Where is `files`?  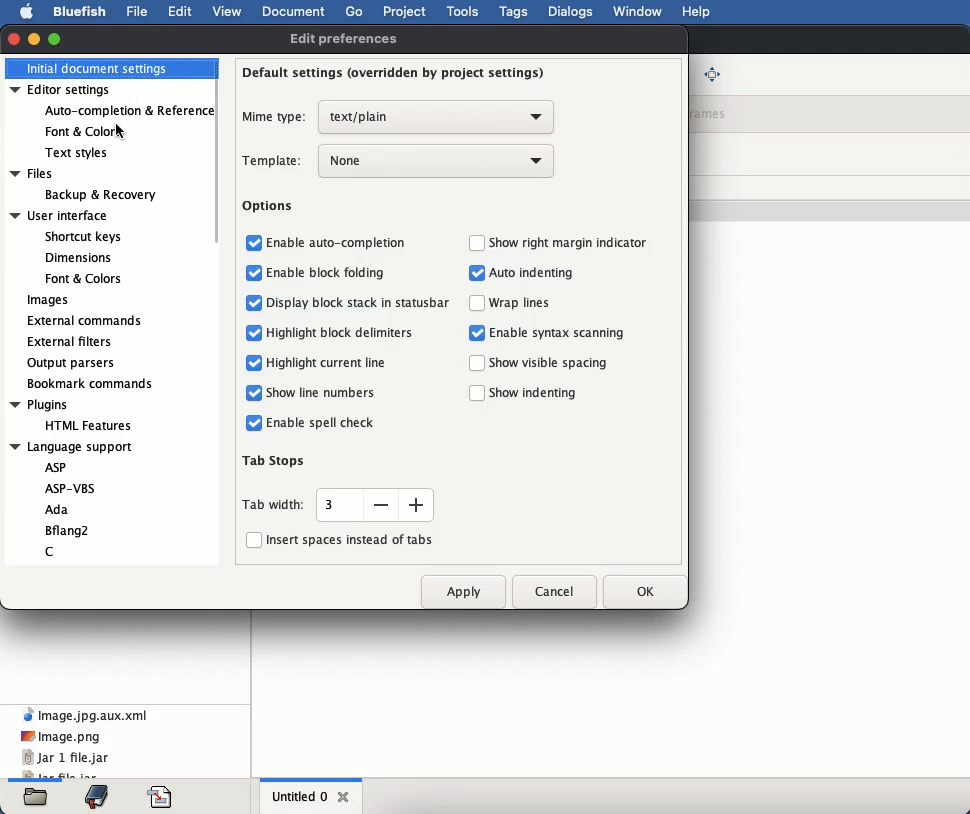 files is located at coordinates (84, 185).